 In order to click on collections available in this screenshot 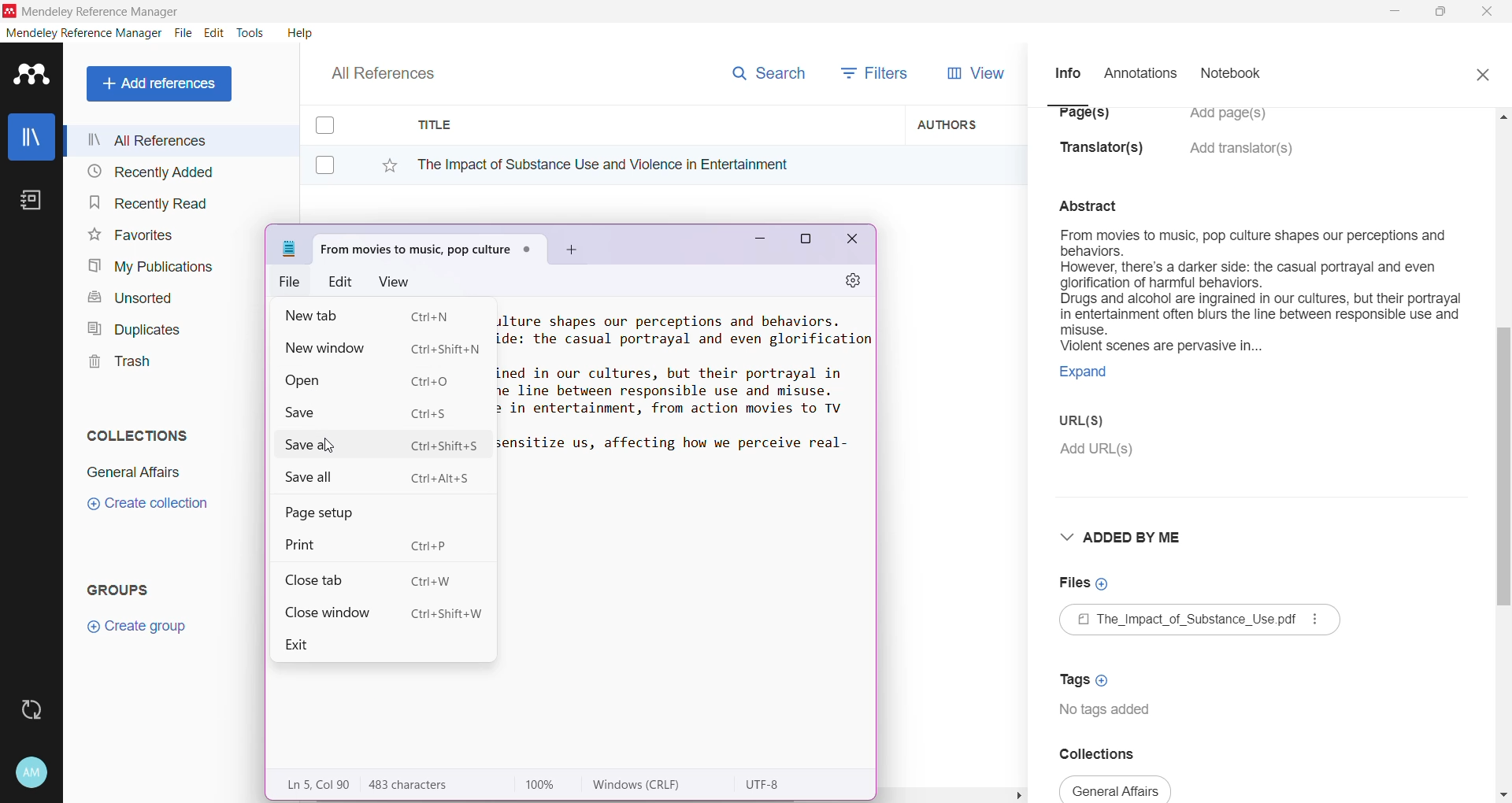, I will do `click(1117, 789)`.